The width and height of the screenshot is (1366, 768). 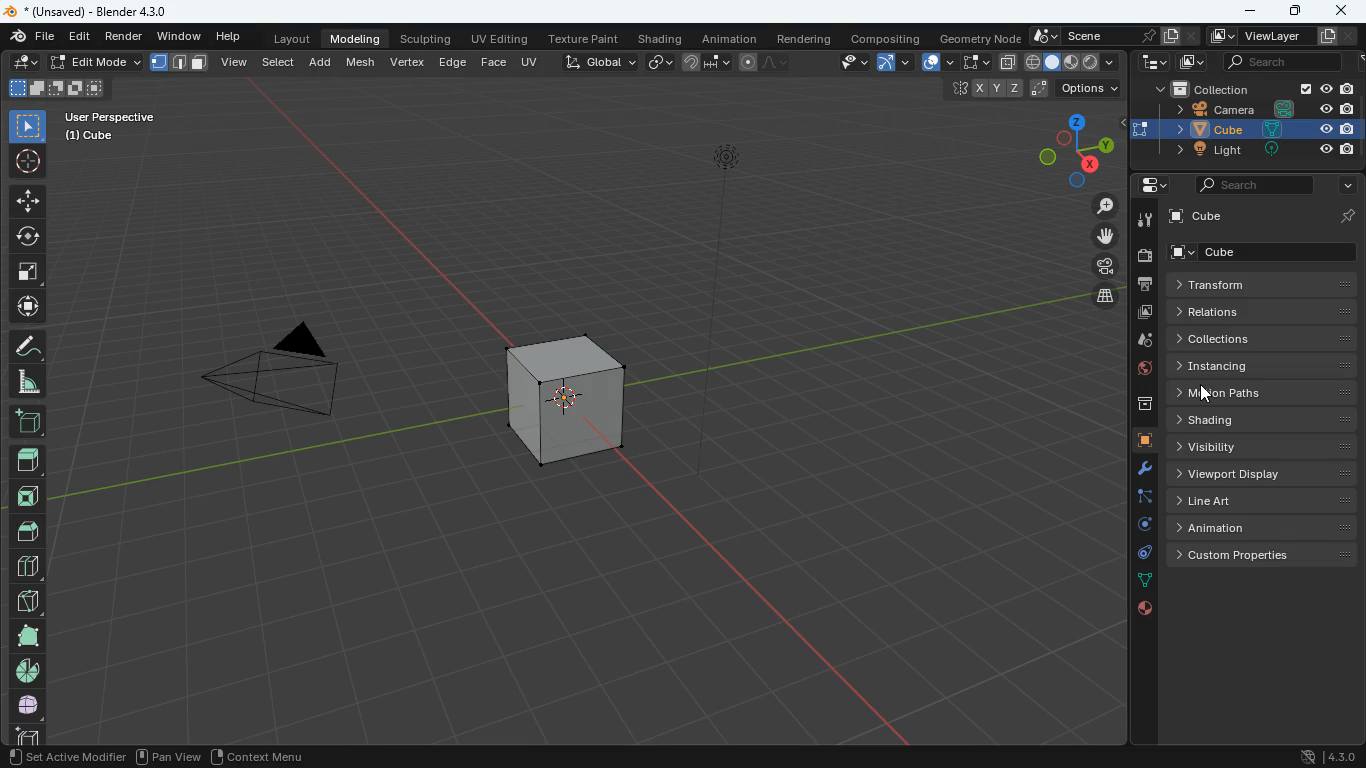 What do you see at coordinates (27, 158) in the screenshot?
I see `aim` at bounding box center [27, 158].